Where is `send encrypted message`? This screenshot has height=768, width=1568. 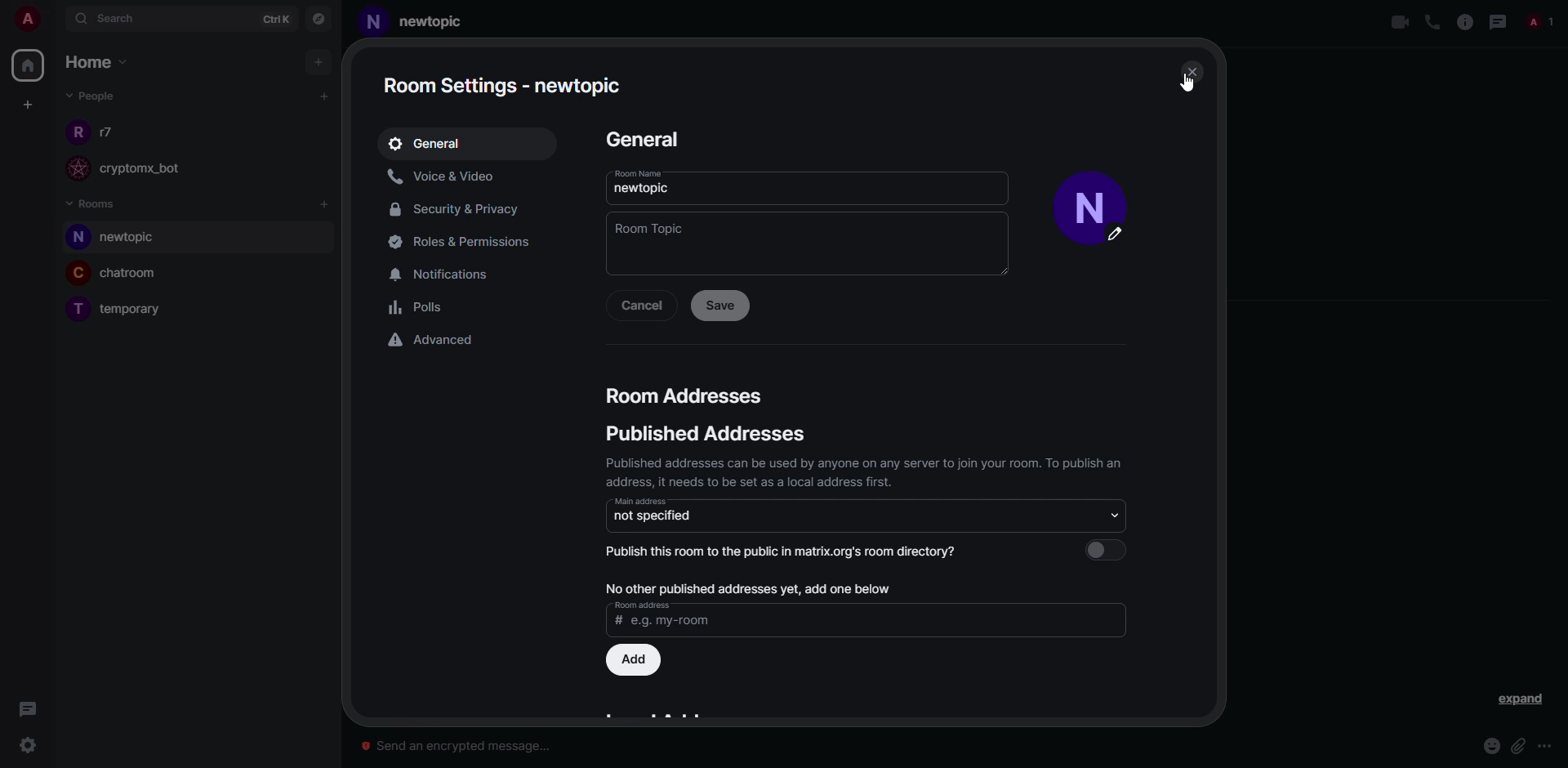 send encrypted message is located at coordinates (459, 742).